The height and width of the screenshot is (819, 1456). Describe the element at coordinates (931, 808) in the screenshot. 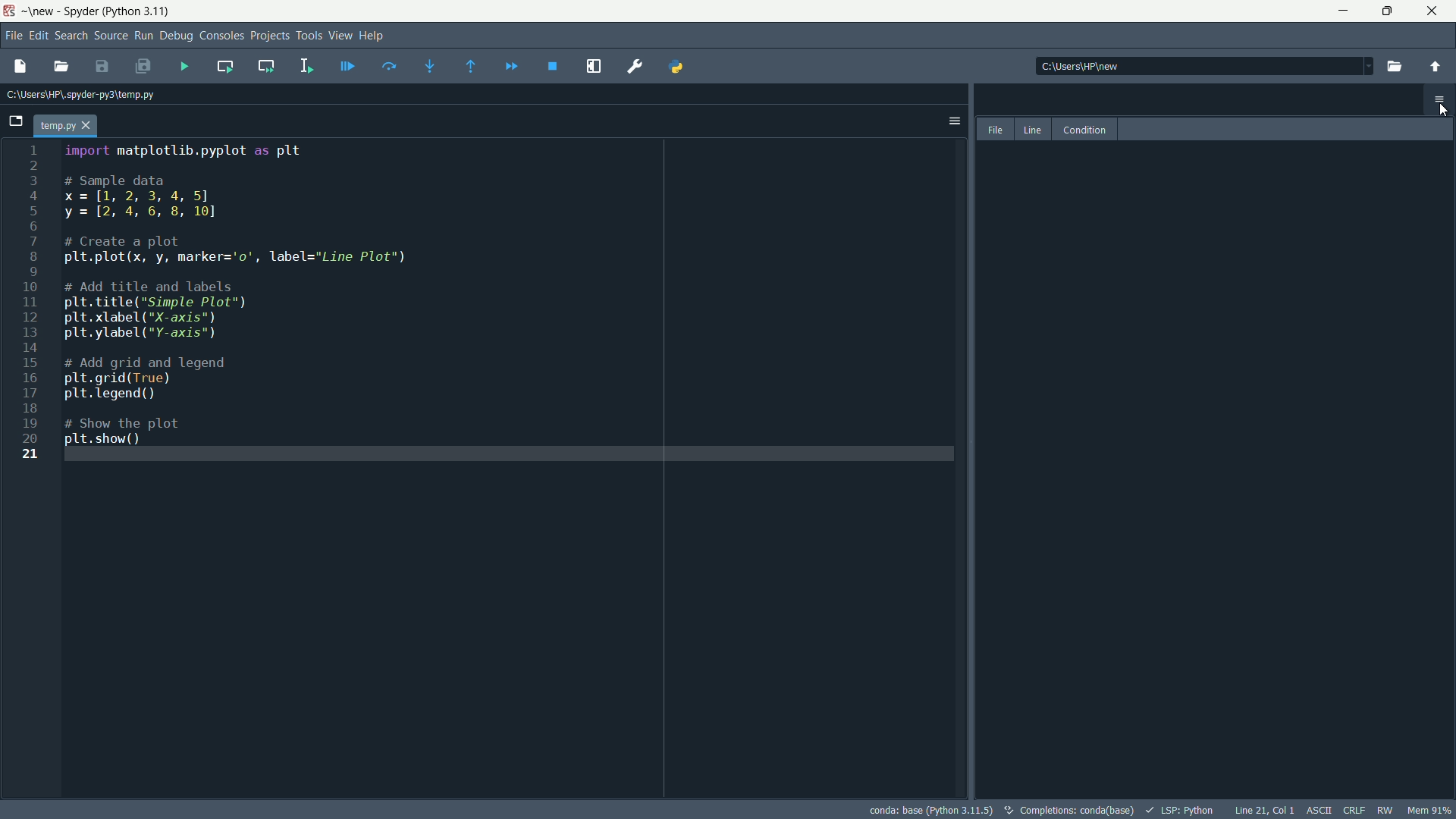

I see `conda: base (Python 3.11.5)` at that location.